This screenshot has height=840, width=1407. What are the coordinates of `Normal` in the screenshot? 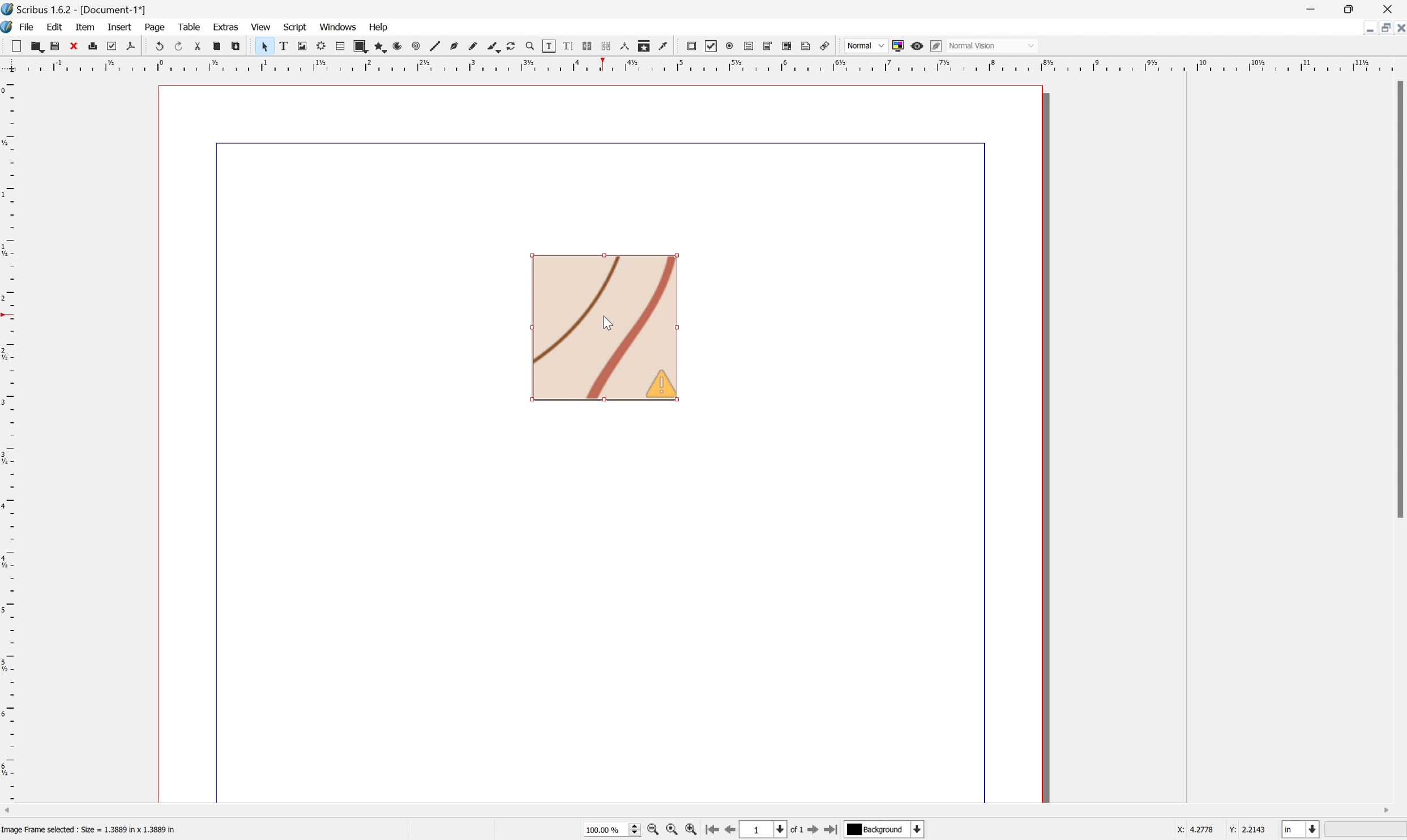 It's located at (865, 46).